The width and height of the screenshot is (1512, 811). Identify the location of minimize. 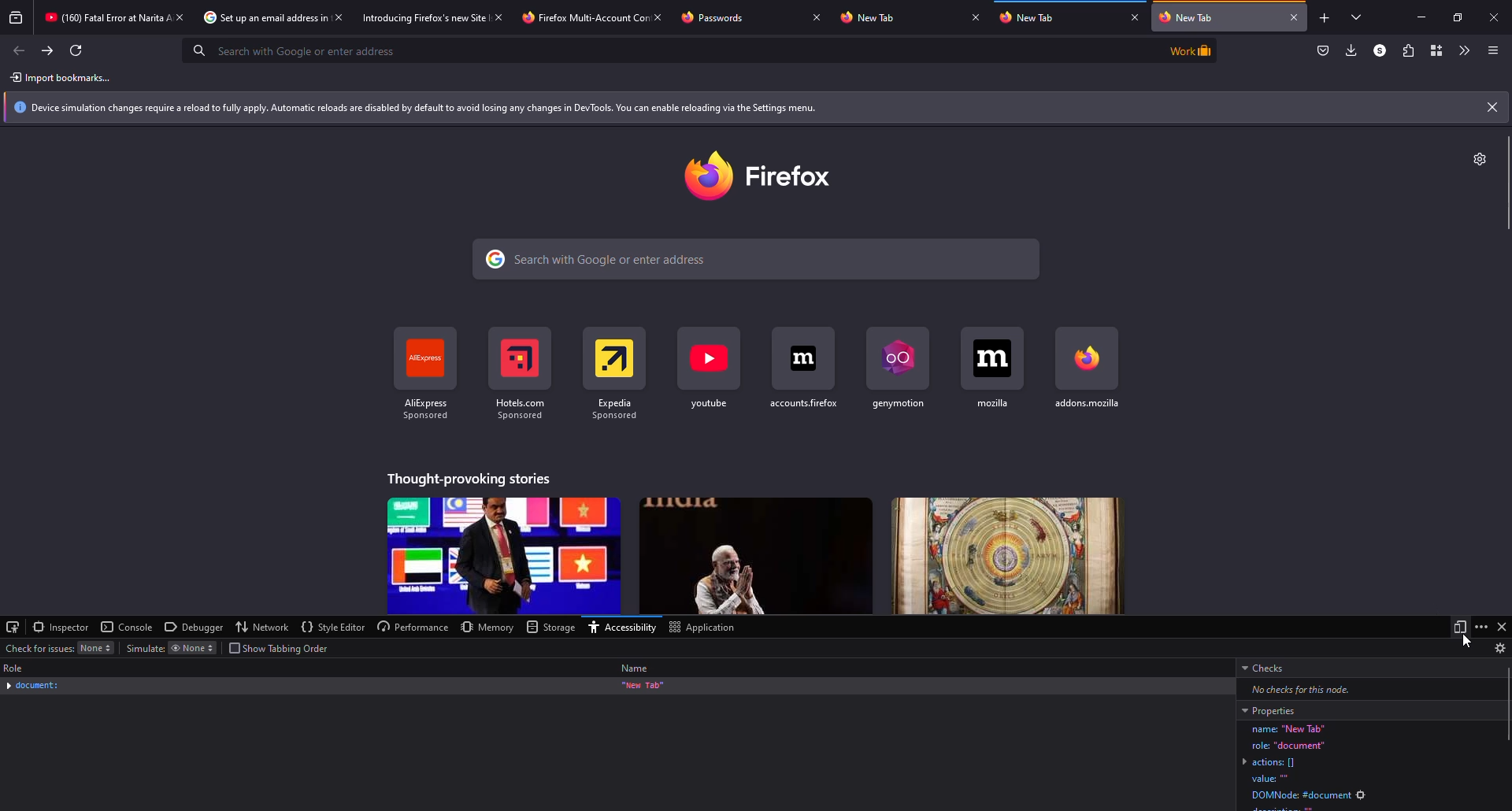
(1414, 17).